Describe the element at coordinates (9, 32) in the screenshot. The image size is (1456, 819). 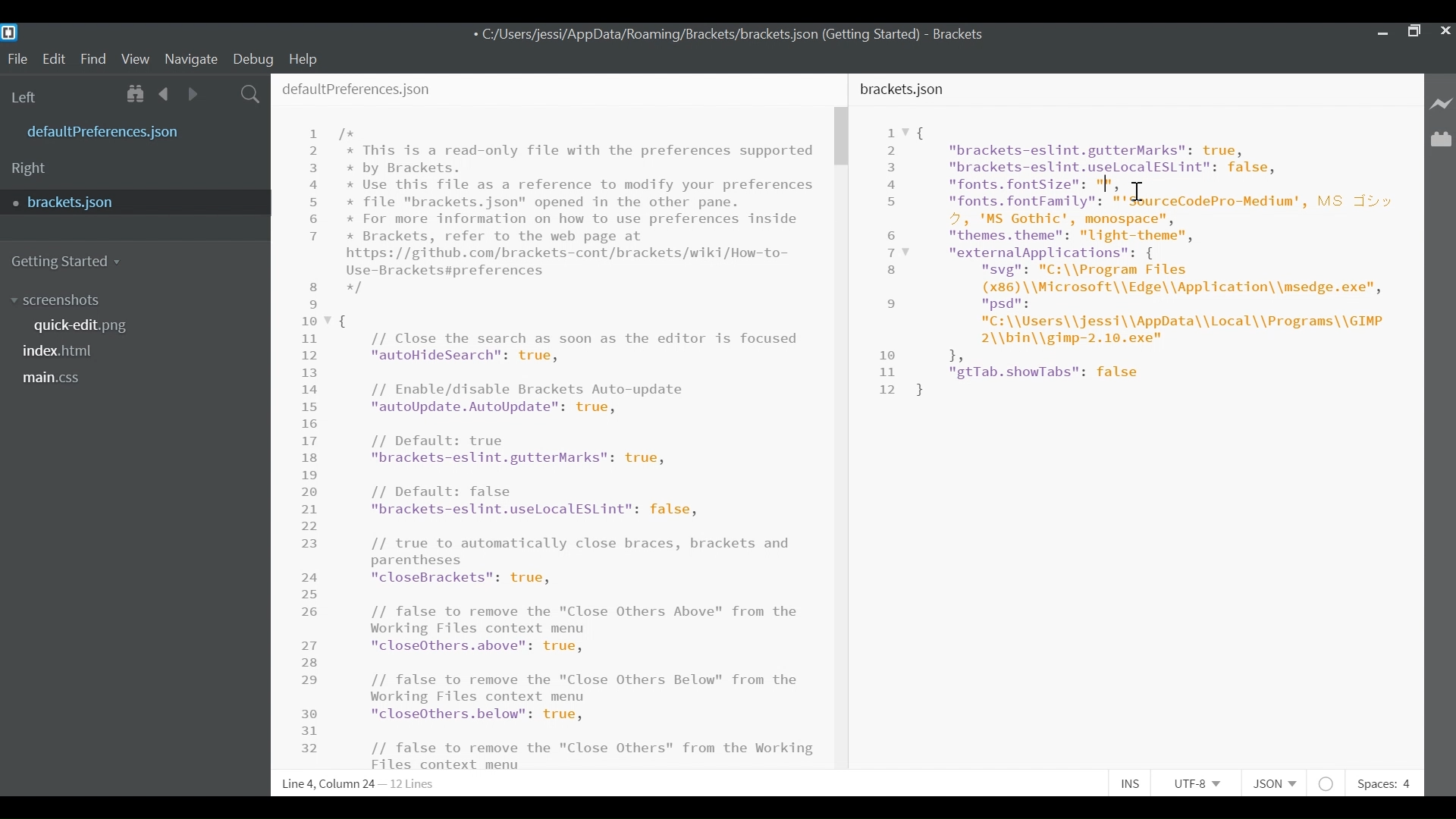
I see `Brackets Desktop Icon ` at that location.